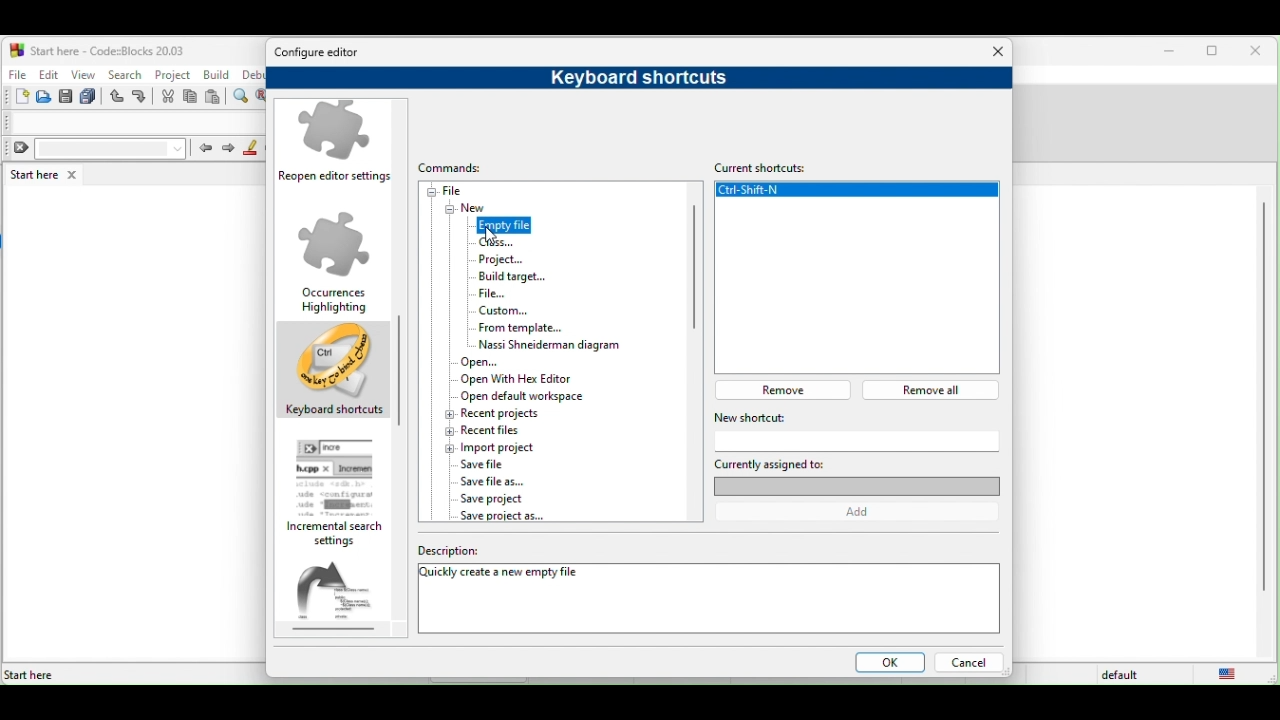  What do you see at coordinates (768, 165) in the screenshot?
I see `current shortcuts` at bounding box center [768, 165].